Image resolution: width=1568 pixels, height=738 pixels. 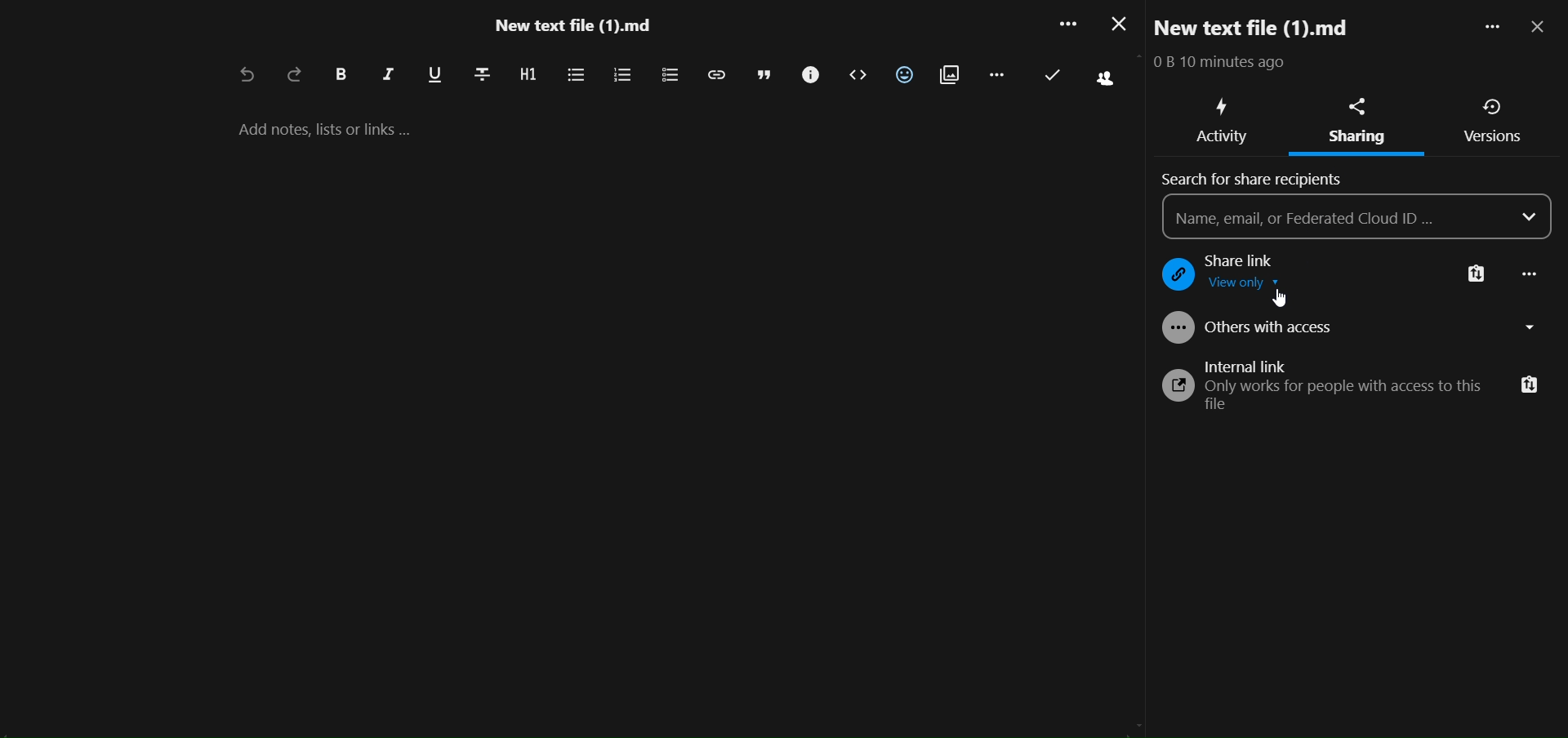 I want to click on italic, so click(x=388, y=78).